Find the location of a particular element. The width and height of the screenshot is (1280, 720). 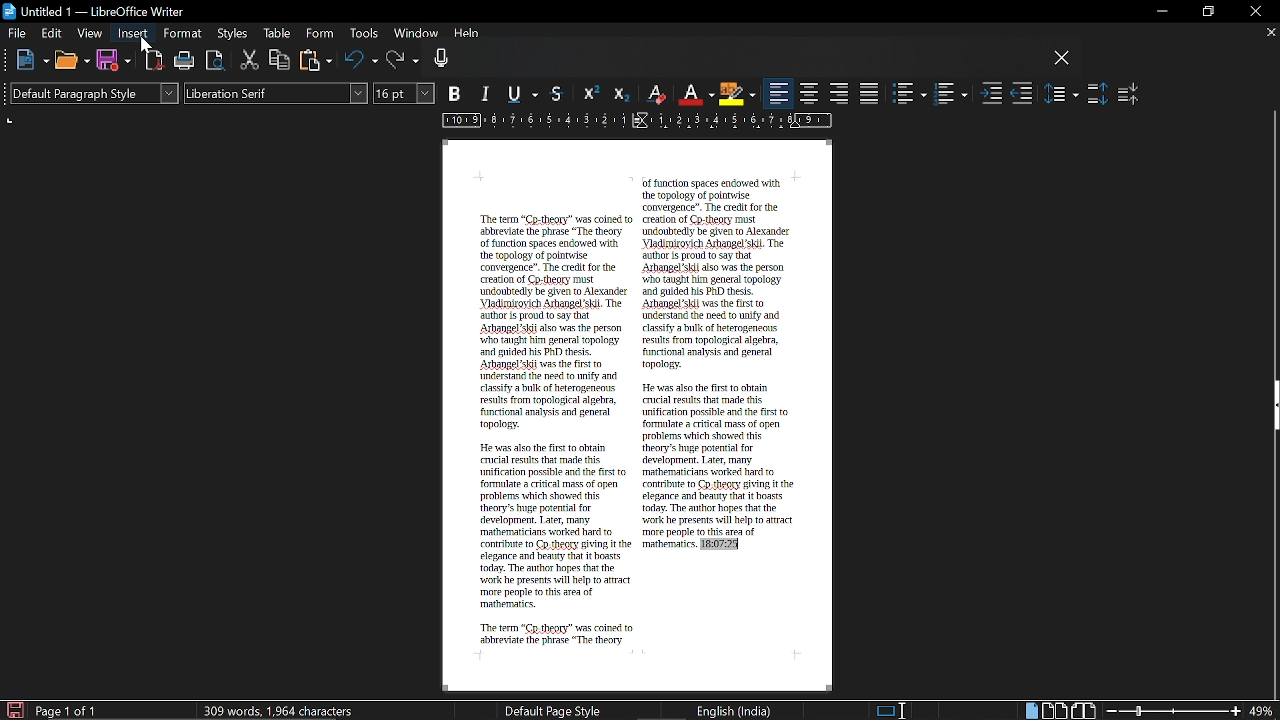

Center is located at coordinates (810, 93).